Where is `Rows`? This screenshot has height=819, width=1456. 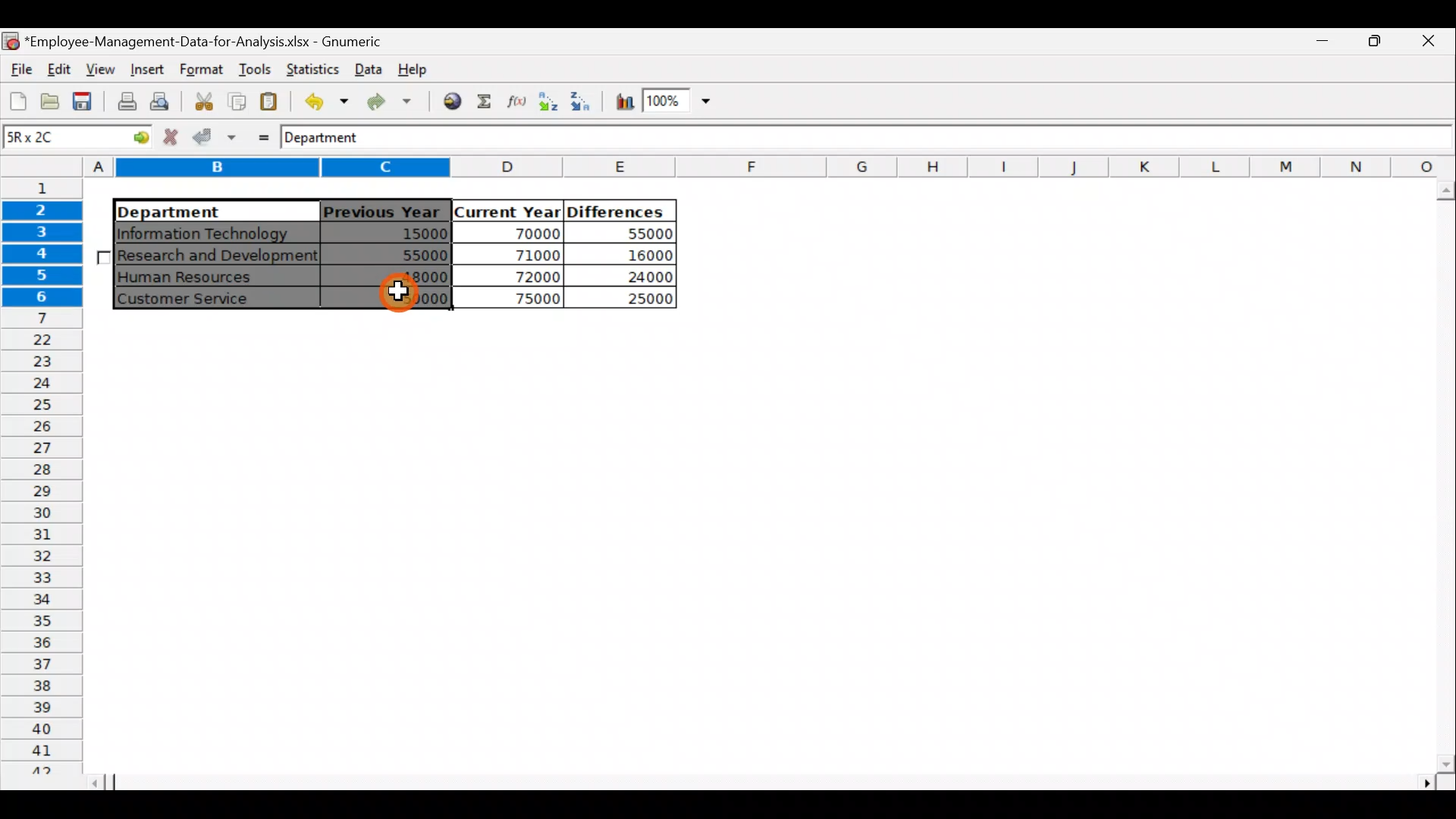
Rows is located at coordinates (45, 475).